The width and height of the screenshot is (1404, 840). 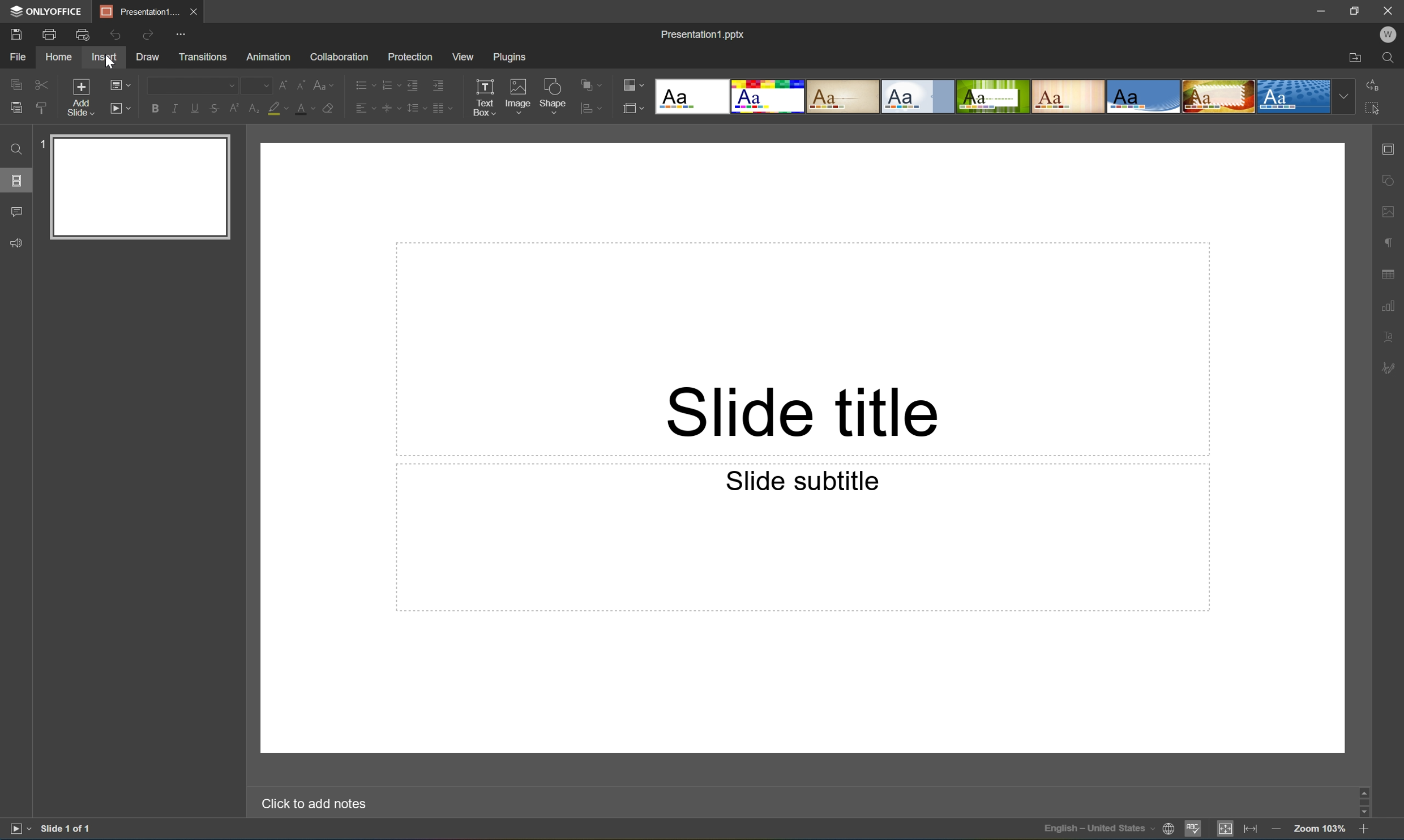 I want to click on Arrange shape, so click(x=594, y=83).